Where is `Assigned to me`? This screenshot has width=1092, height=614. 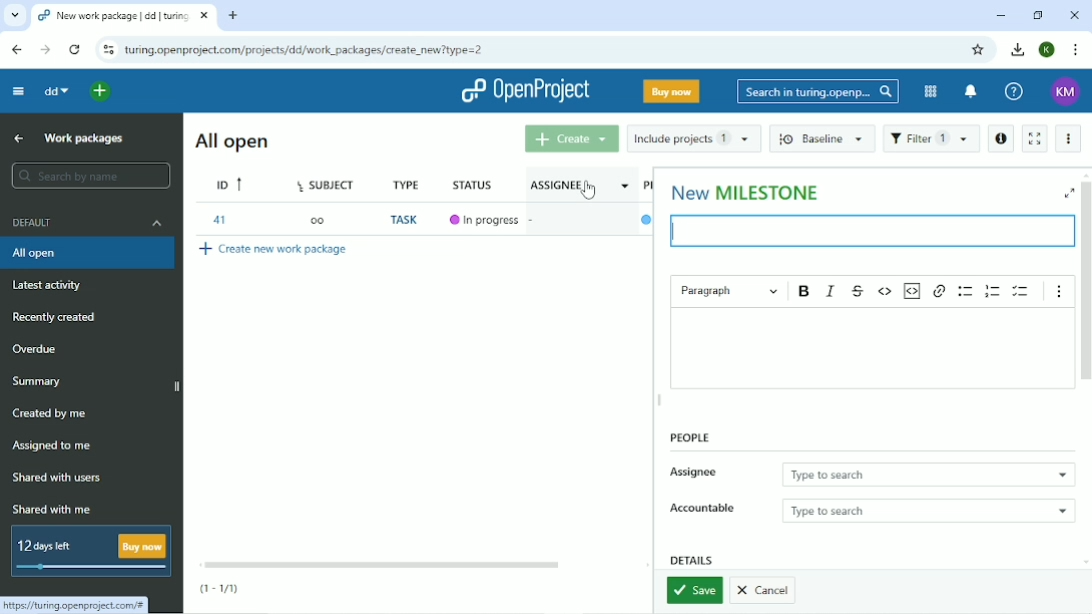
Assigned to me is located at coordinates (53, 446).